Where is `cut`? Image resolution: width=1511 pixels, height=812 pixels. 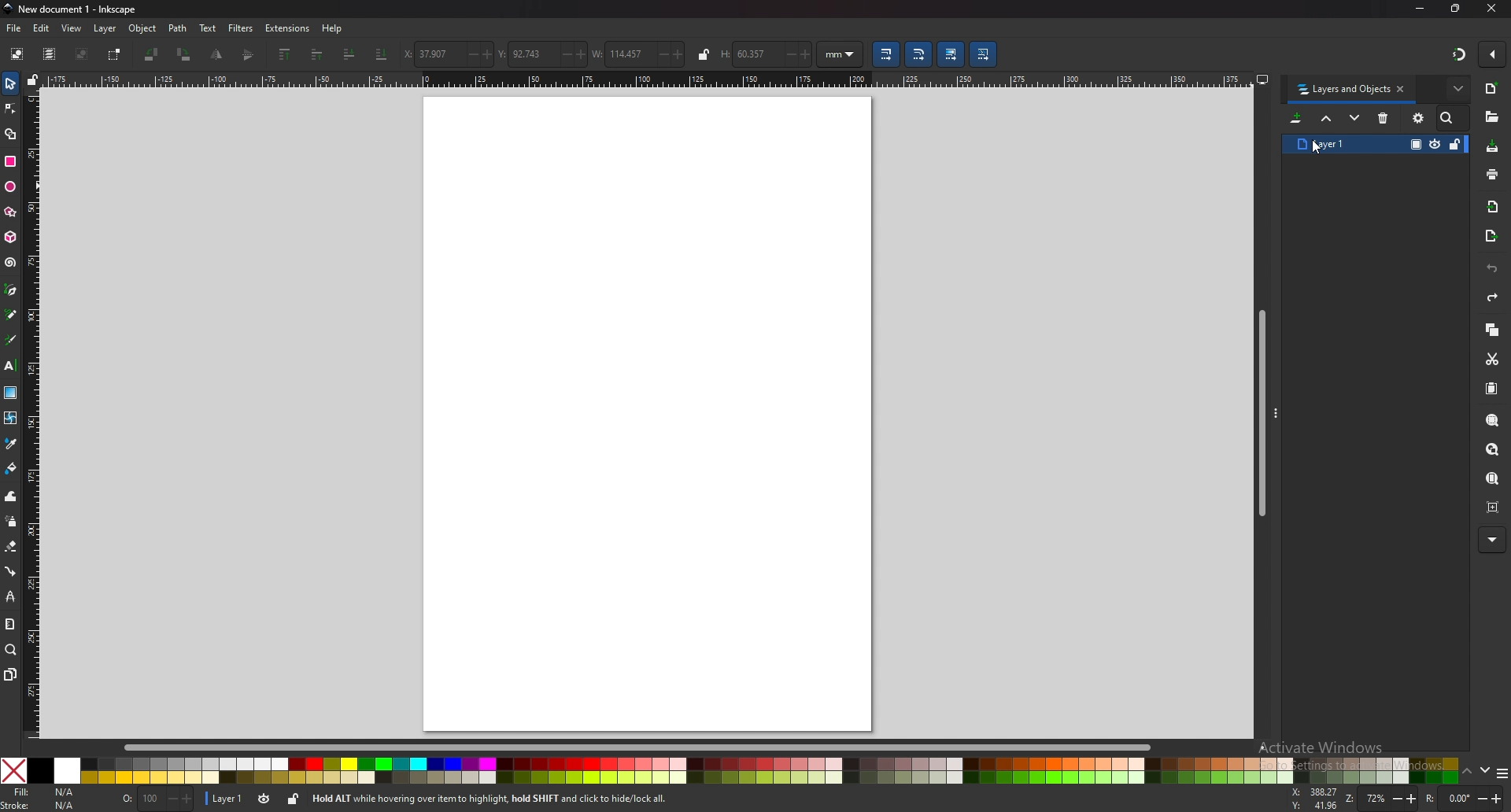 cut is located at coordinates (1493, 360).